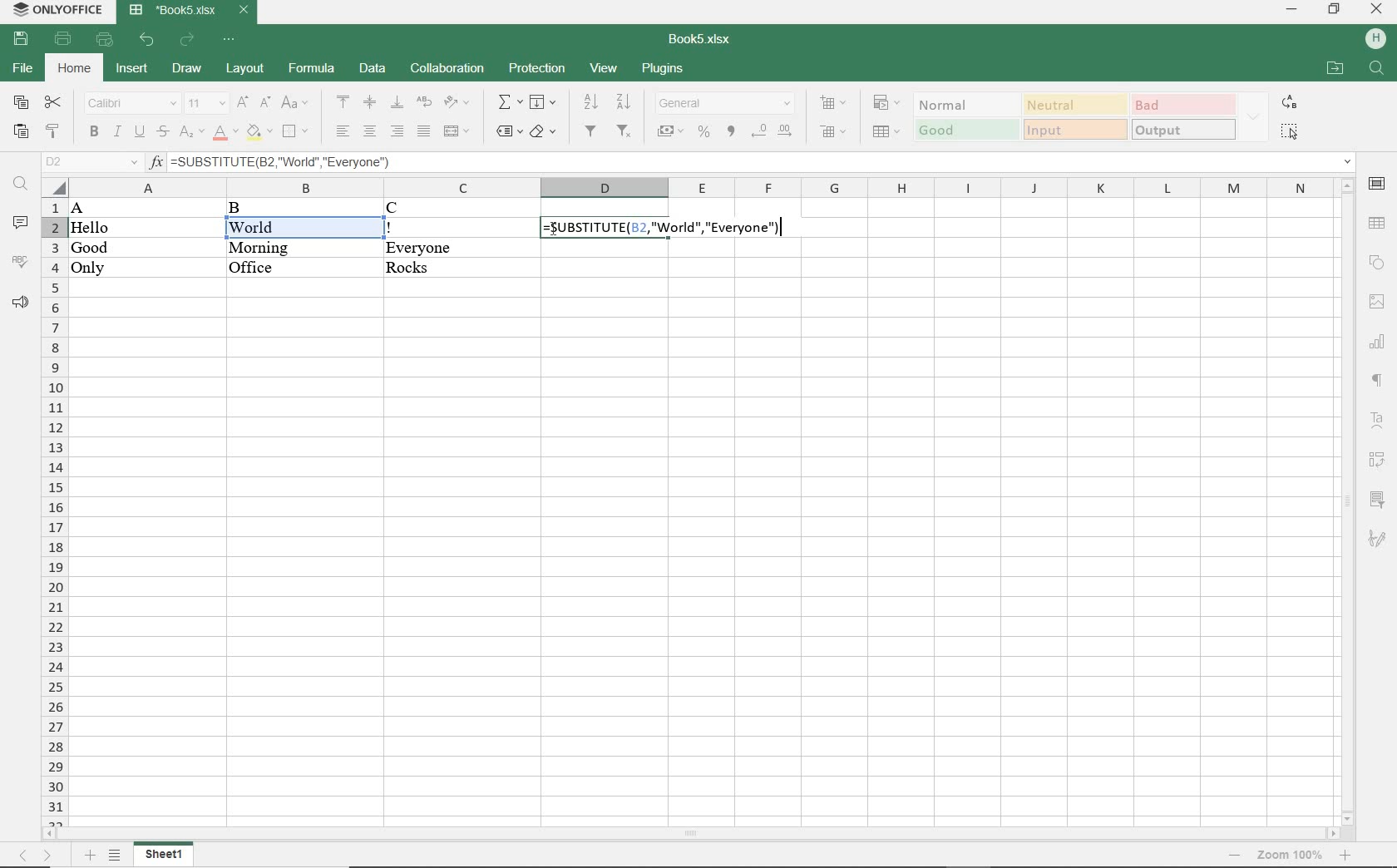 Image resolution: width=1397 pixels, height=868 pixels. I want to click on strikethrough, so click(161, 134).